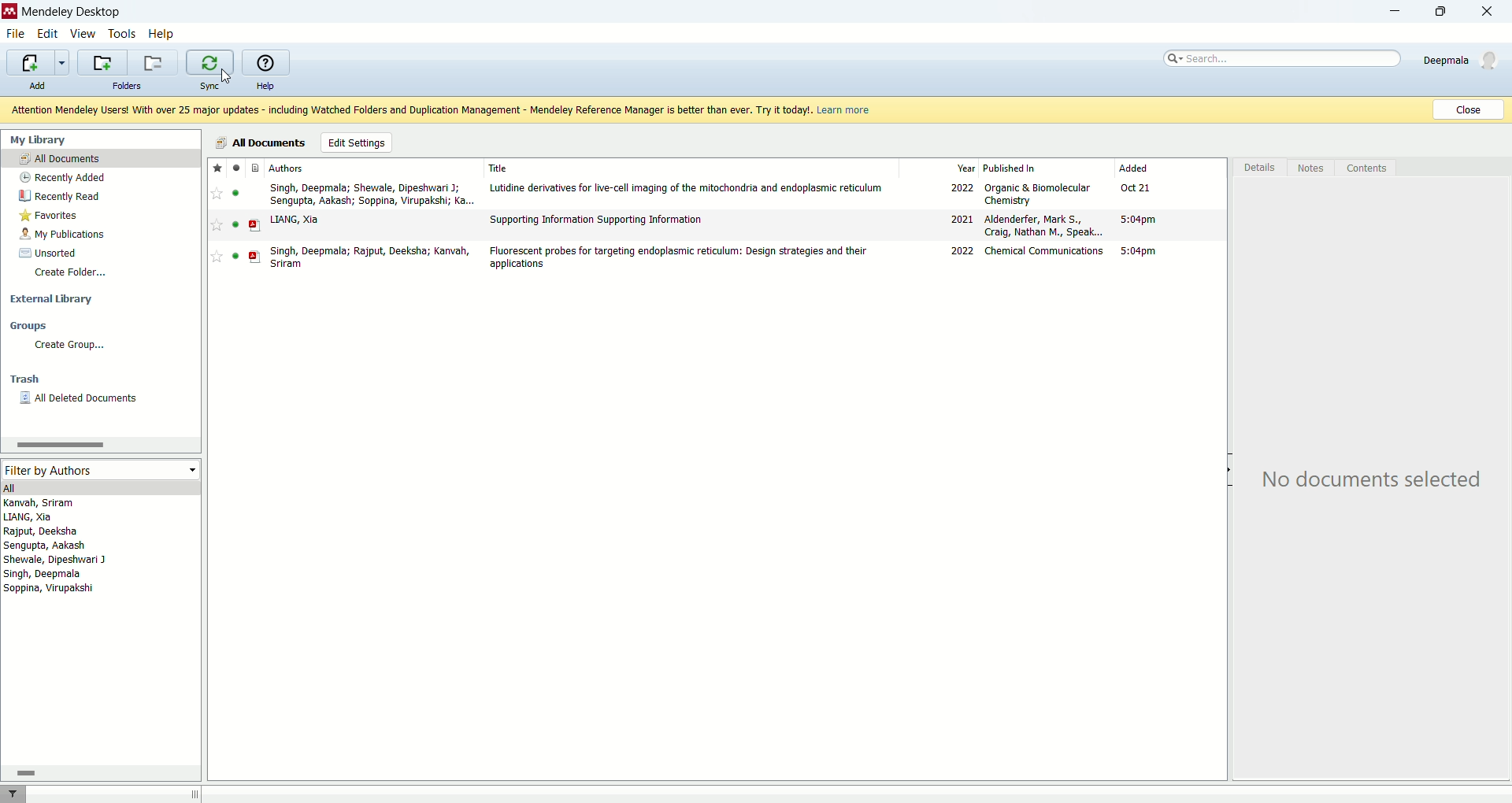 The height and width of the screenshot is (803, 1512). I want to click on maximize, so click(1442, 11).